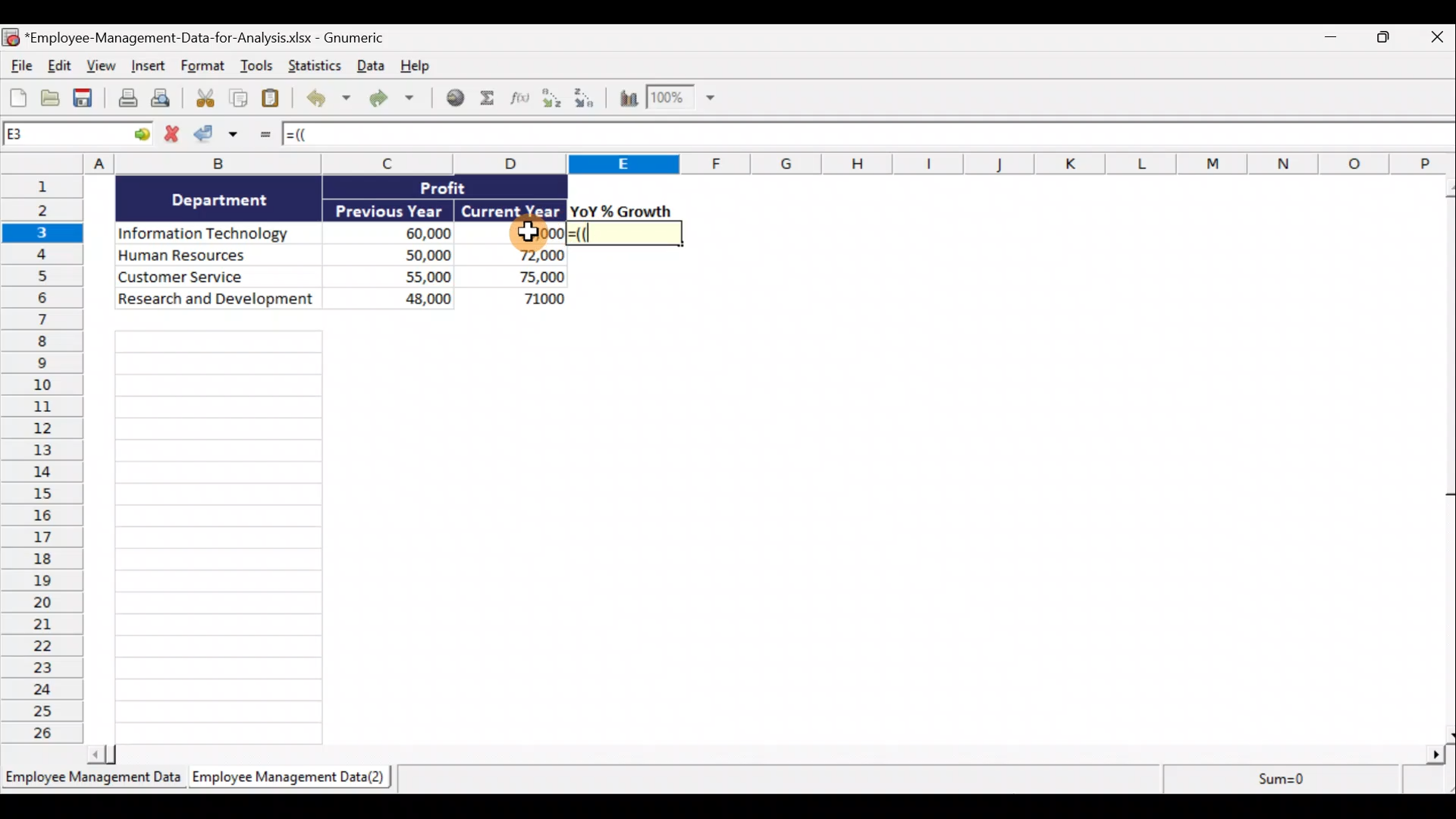  What do you see at coordinates (368, 67) in the screenshot?
I see `Data` at bounding box center [368, 67].